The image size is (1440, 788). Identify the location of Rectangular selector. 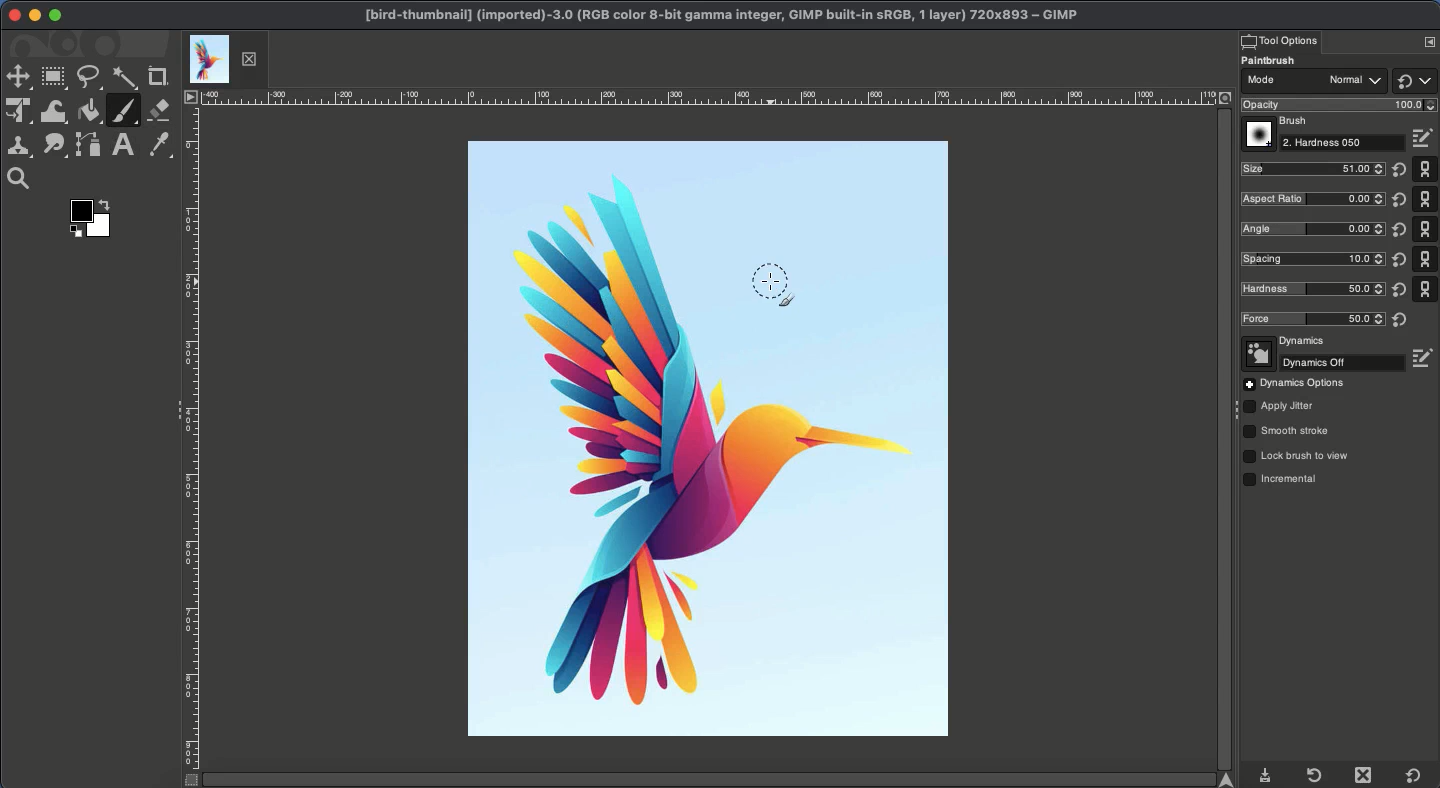
(53, 78).